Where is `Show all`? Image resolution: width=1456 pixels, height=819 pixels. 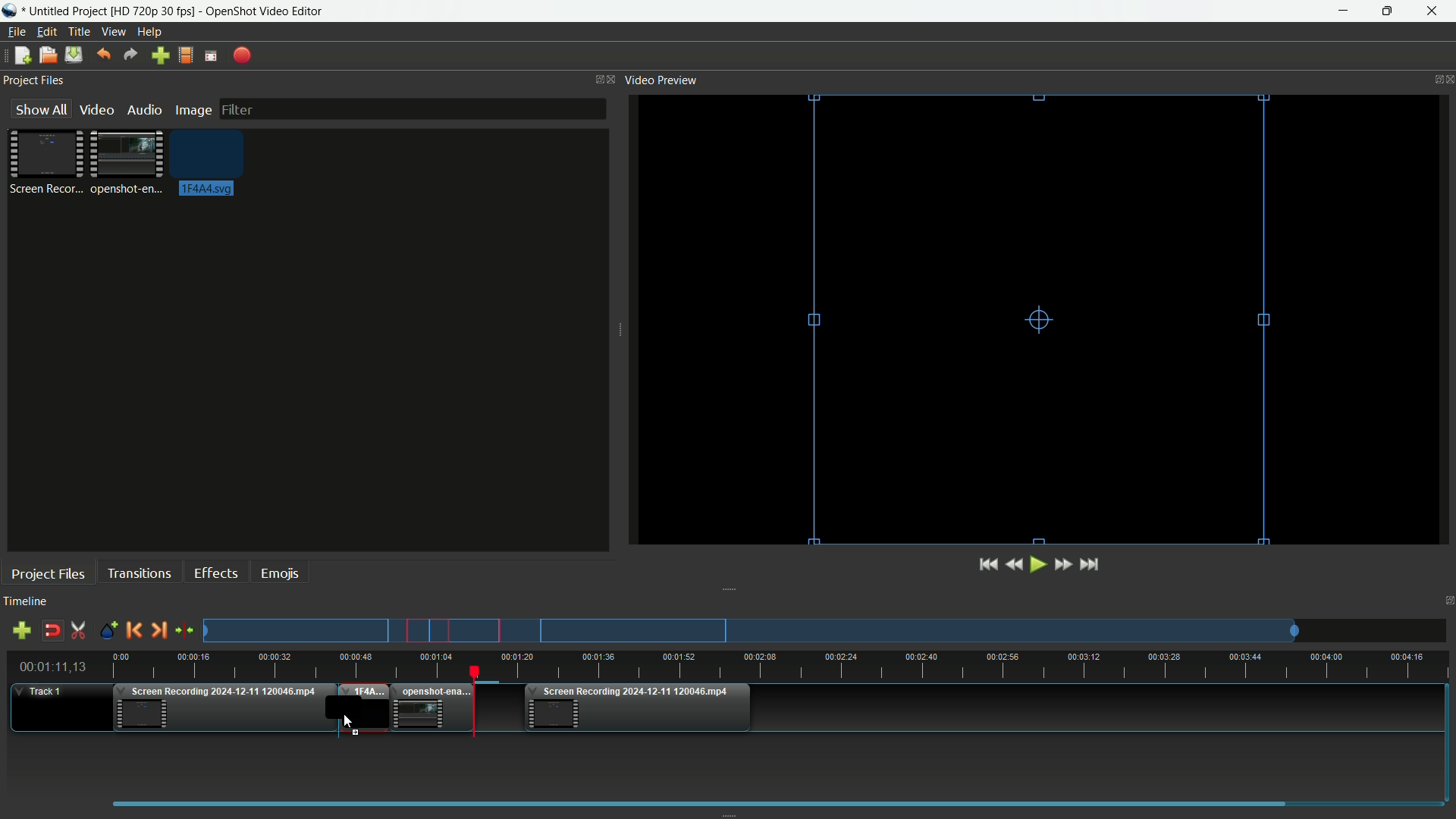 Show all is located at coordinates (36, 109).